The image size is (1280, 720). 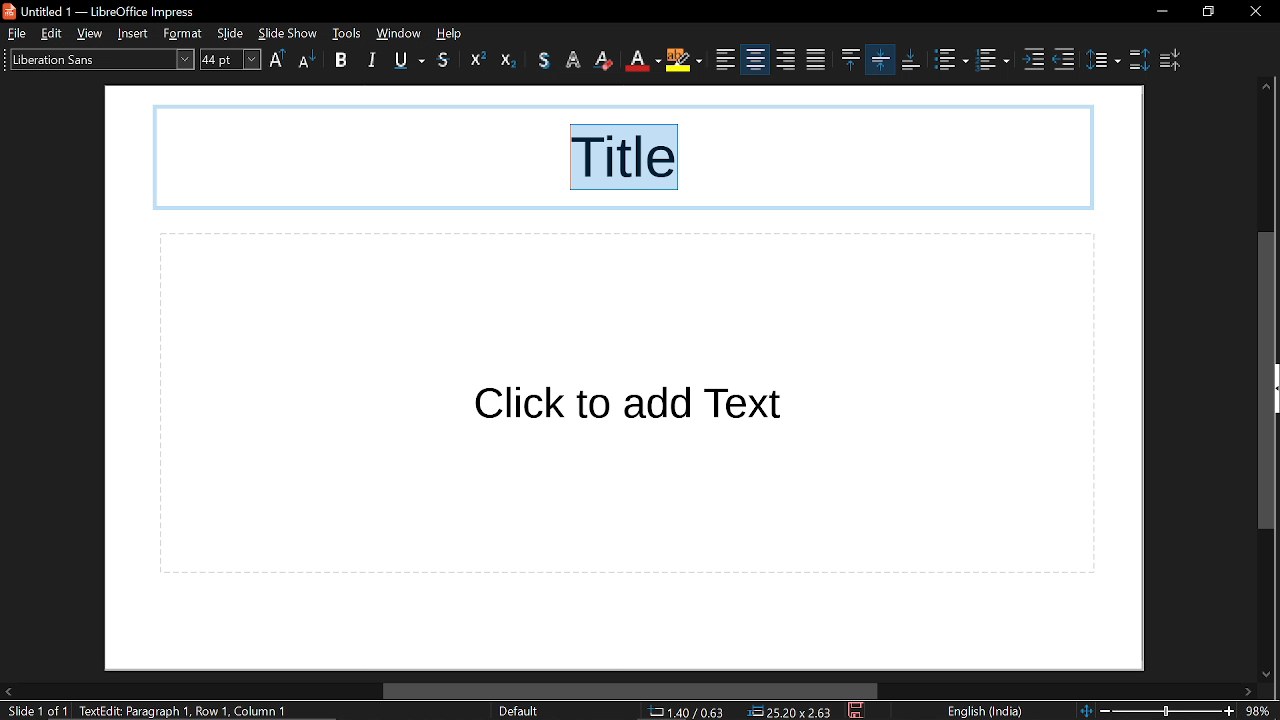 What do you see at coordinates (374, 59) in the screenshot?
I see `italic` at bounding box center [374, 59].